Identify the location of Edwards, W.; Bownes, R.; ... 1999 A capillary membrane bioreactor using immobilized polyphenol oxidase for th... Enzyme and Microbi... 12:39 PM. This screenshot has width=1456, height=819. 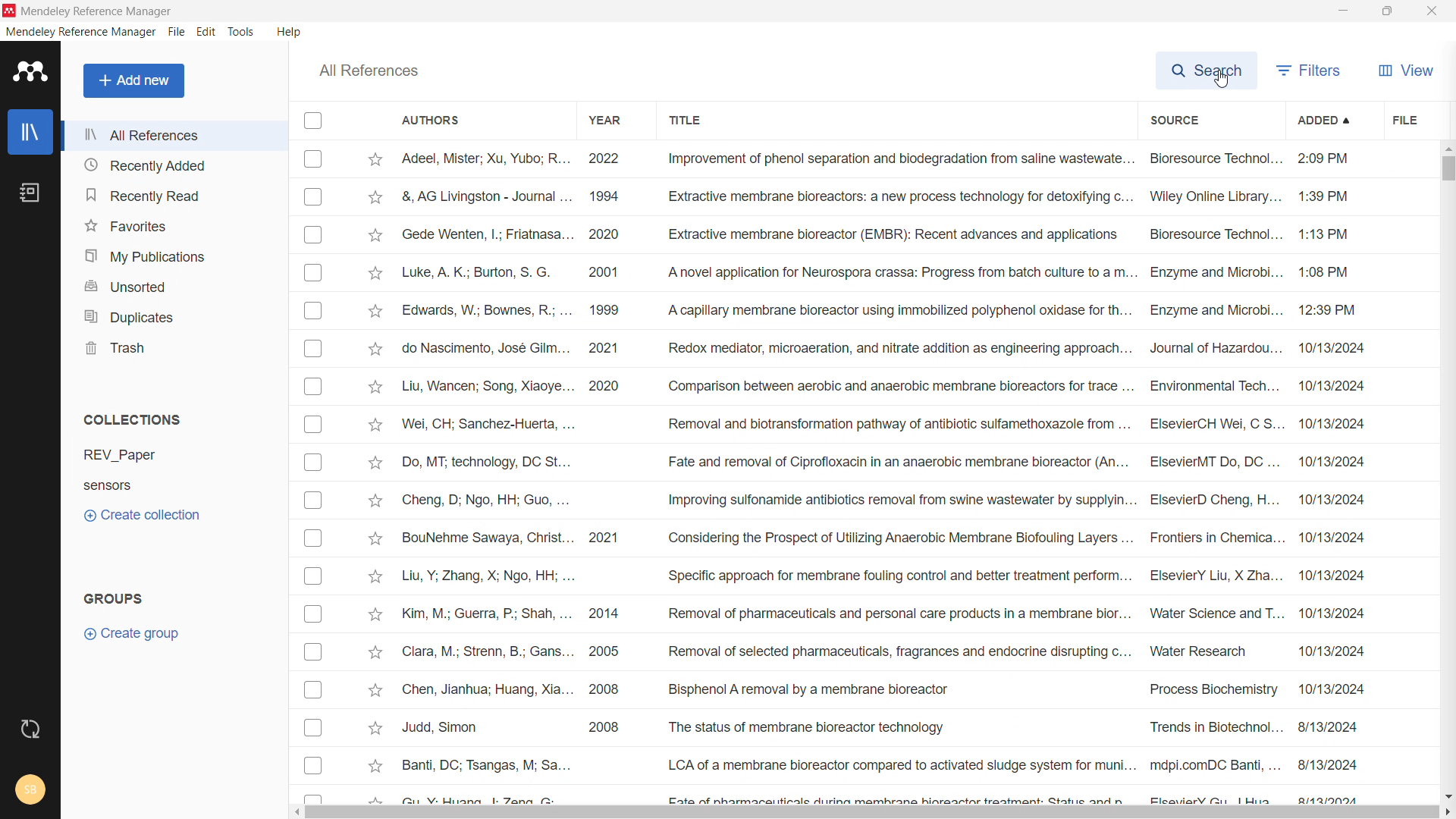
(895, 309).